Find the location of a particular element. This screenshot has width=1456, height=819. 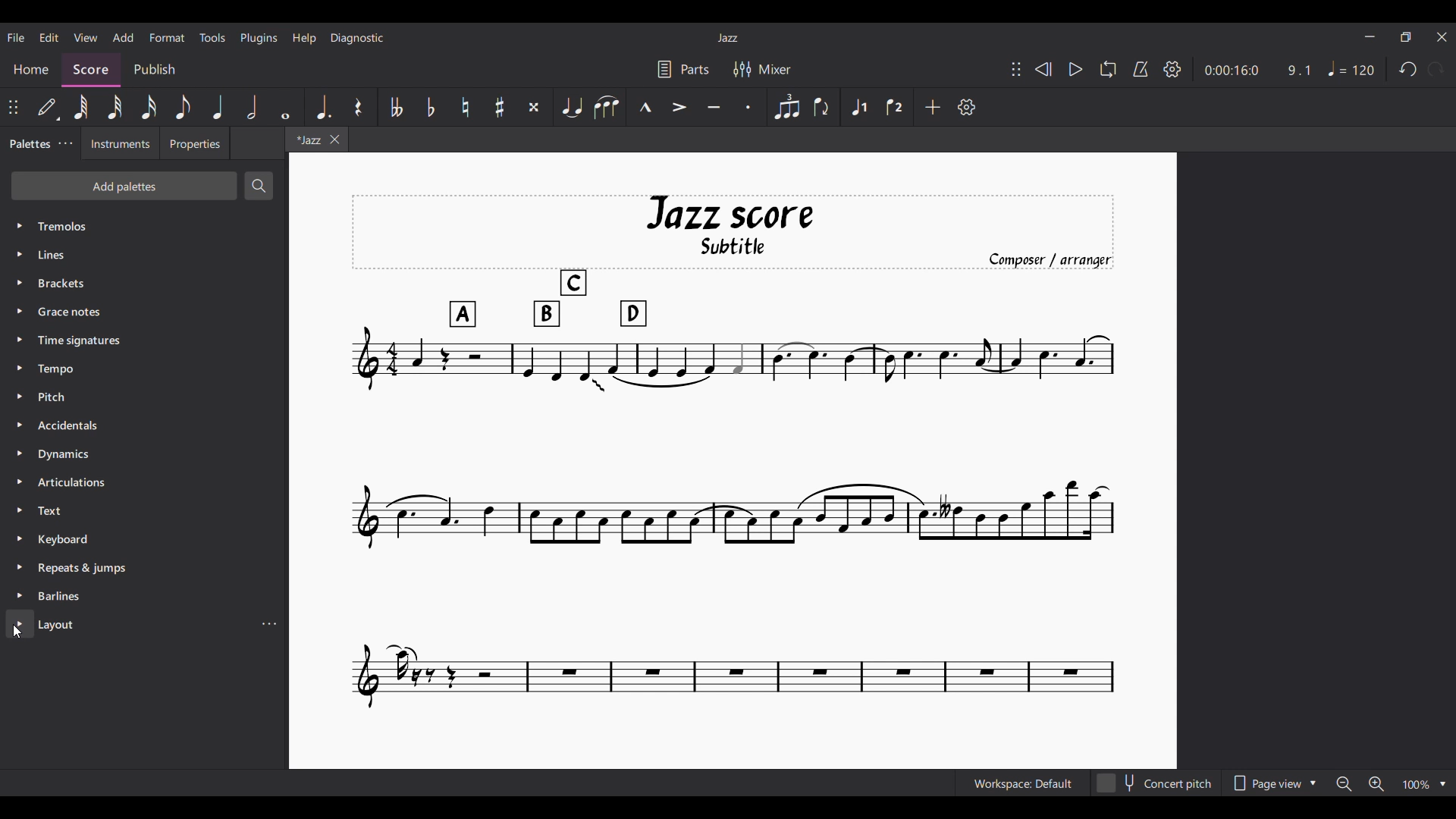

32nd note is located at coordinates (115, 107).